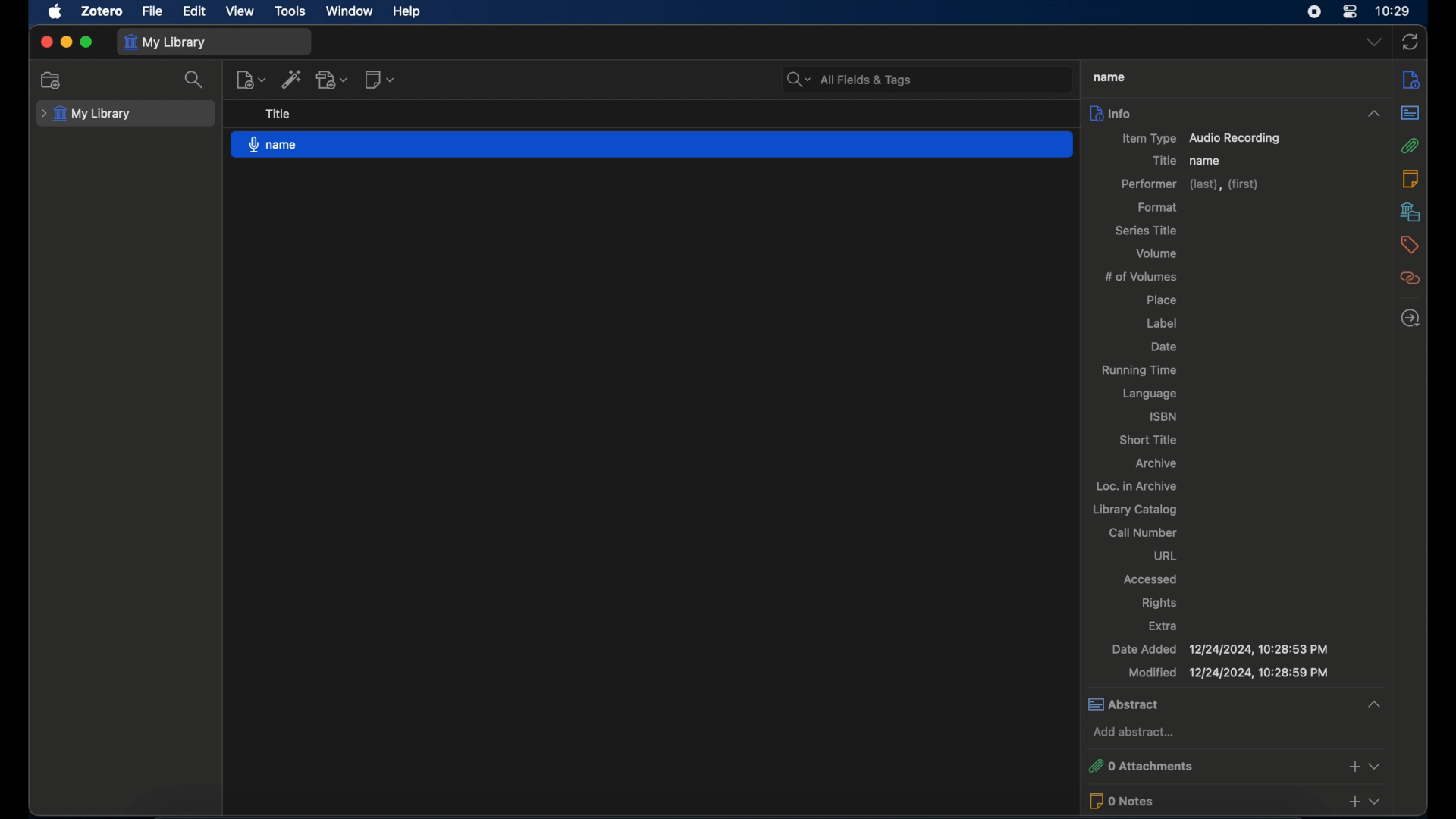 The width and height of the screenshot is (1456, 819). I want to click on 0 attachments, so click(1236, 764).